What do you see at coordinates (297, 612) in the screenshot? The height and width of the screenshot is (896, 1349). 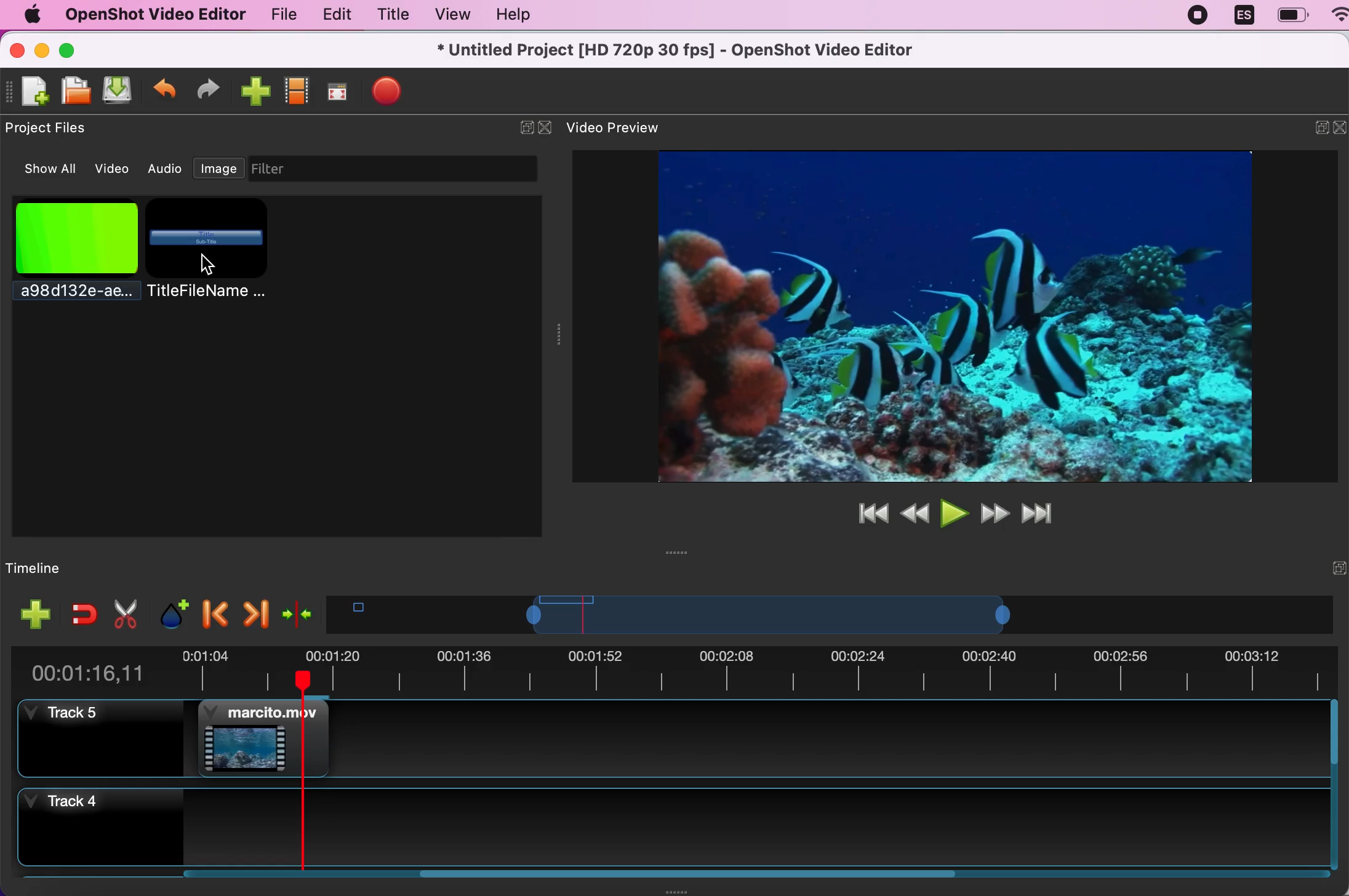 I see `center the timeline` at bounding box center [297, 612].